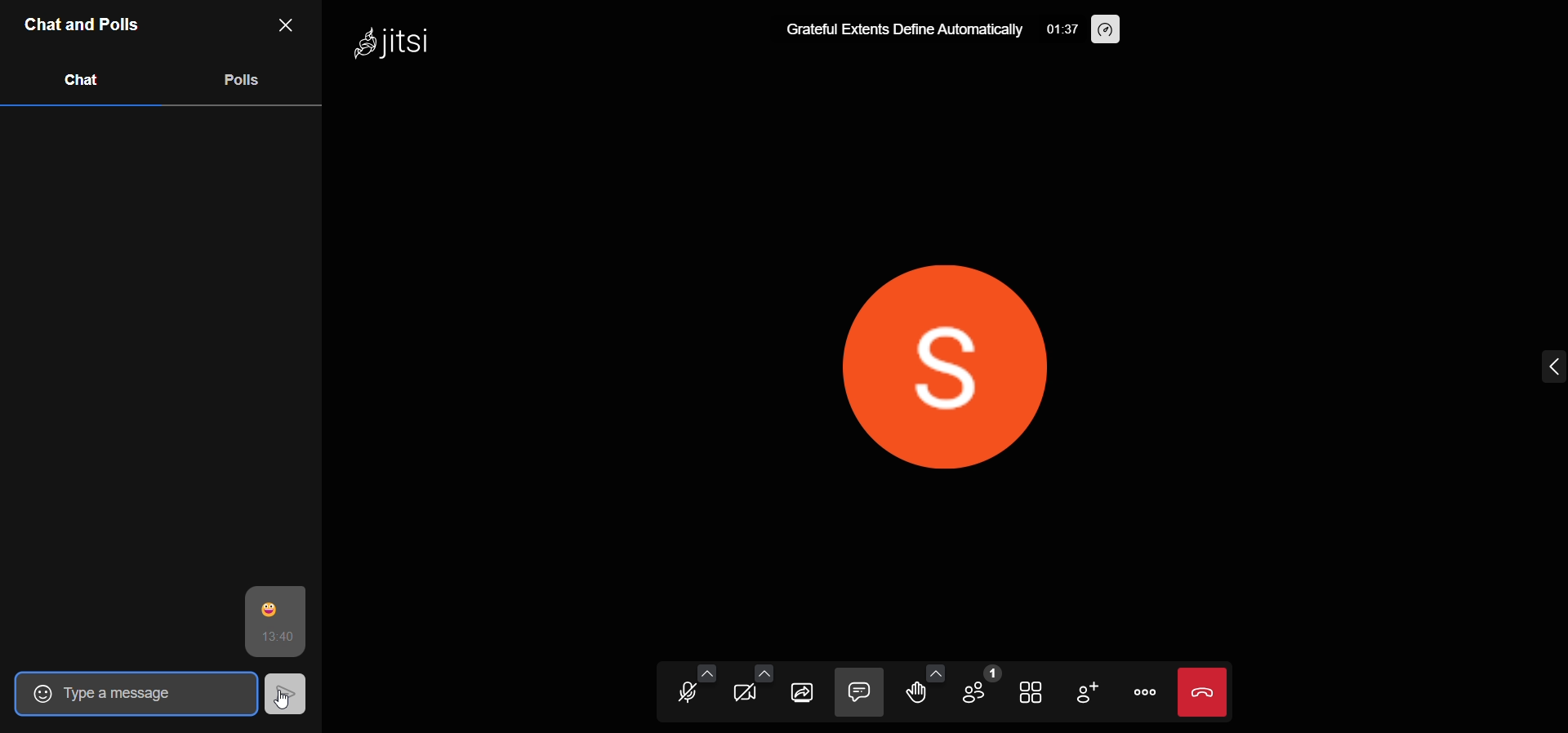 This screenshot has height=733, width=1568. What do you see at coordinates (764, 672) in the screenshot?
I see `video setting` at bounding box center [764, 672].